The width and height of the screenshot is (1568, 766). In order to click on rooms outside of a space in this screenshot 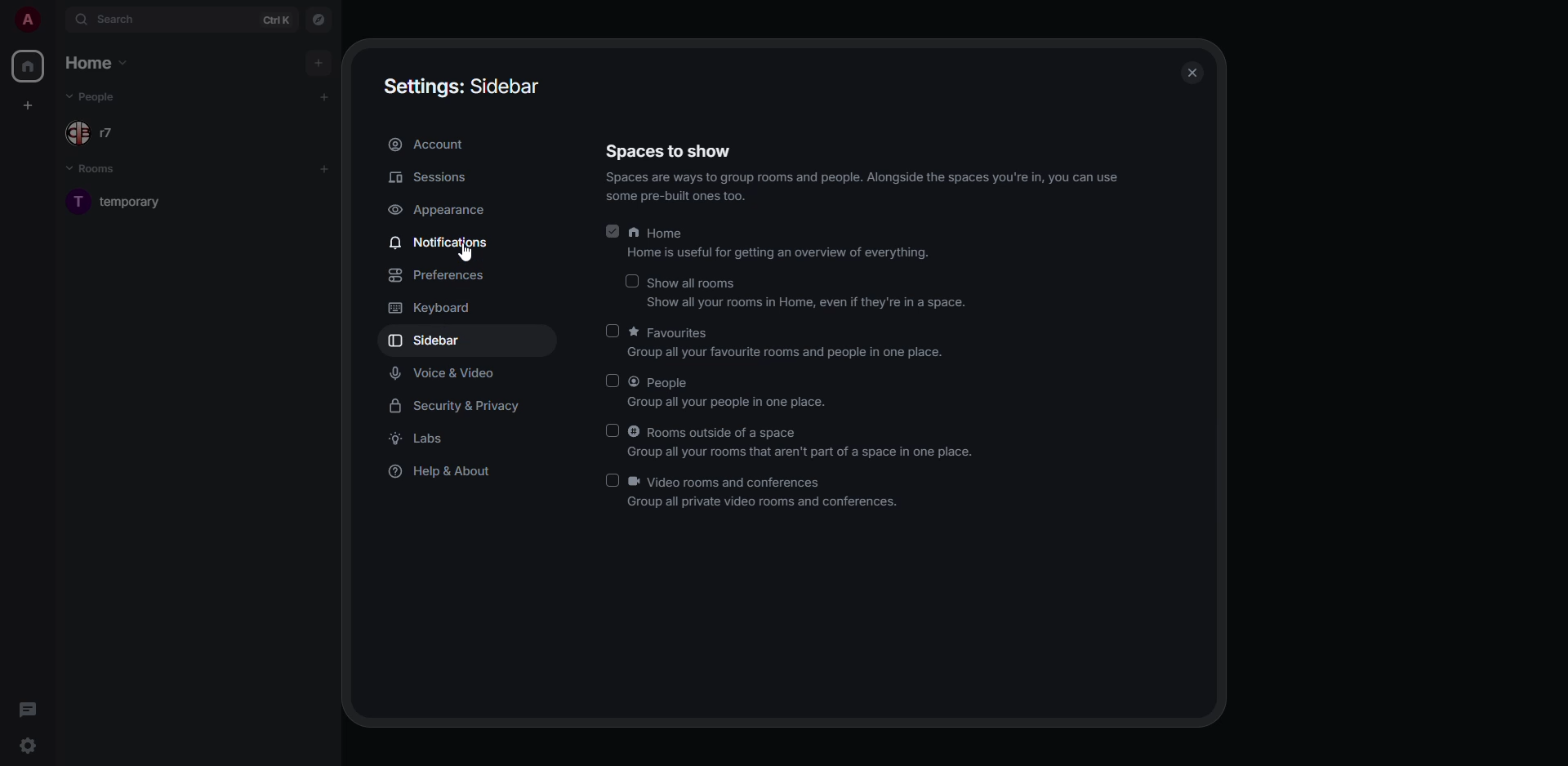, I will do `click(802, 443)`.